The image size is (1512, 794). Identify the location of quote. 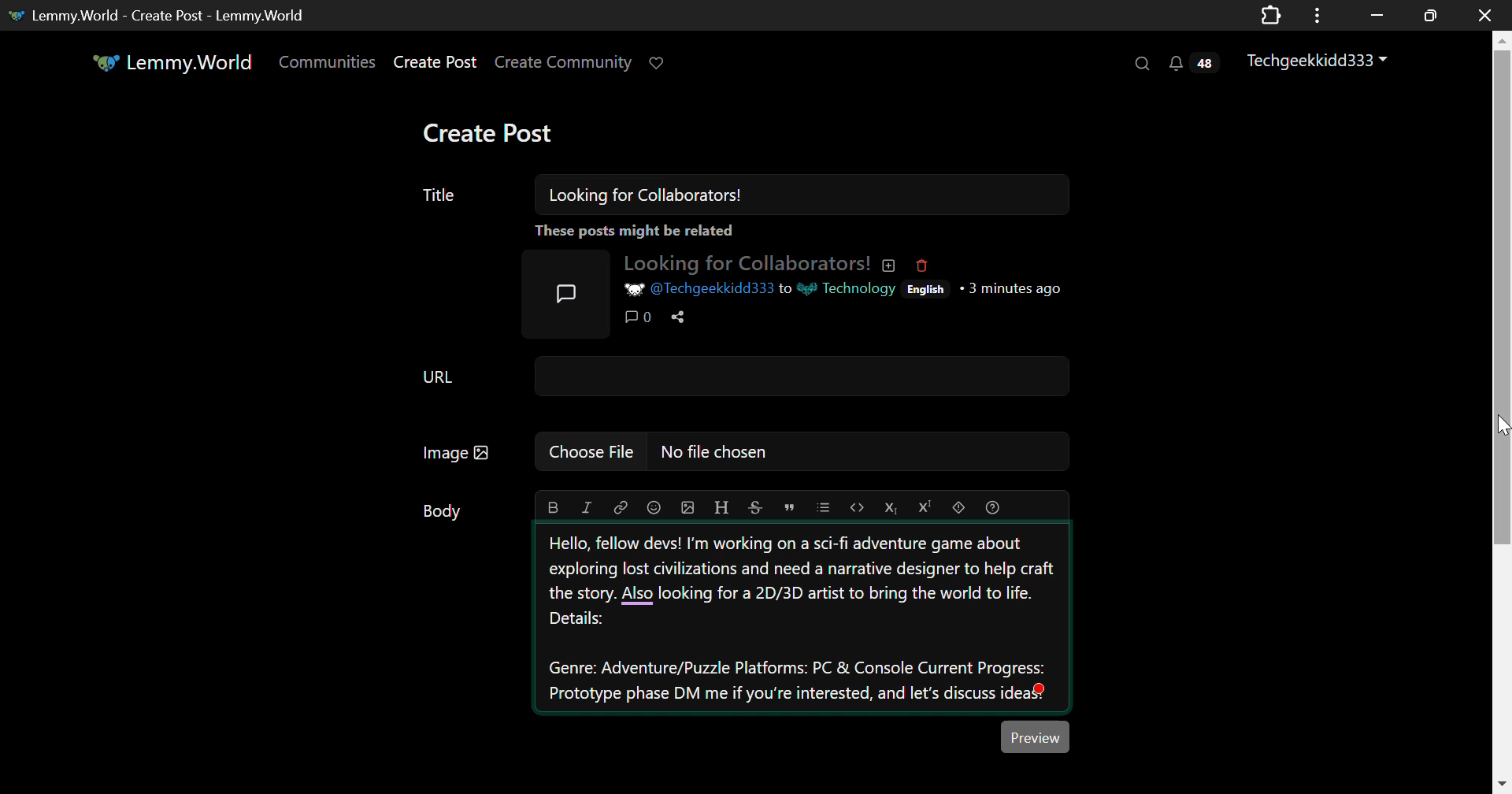
(788, 509).